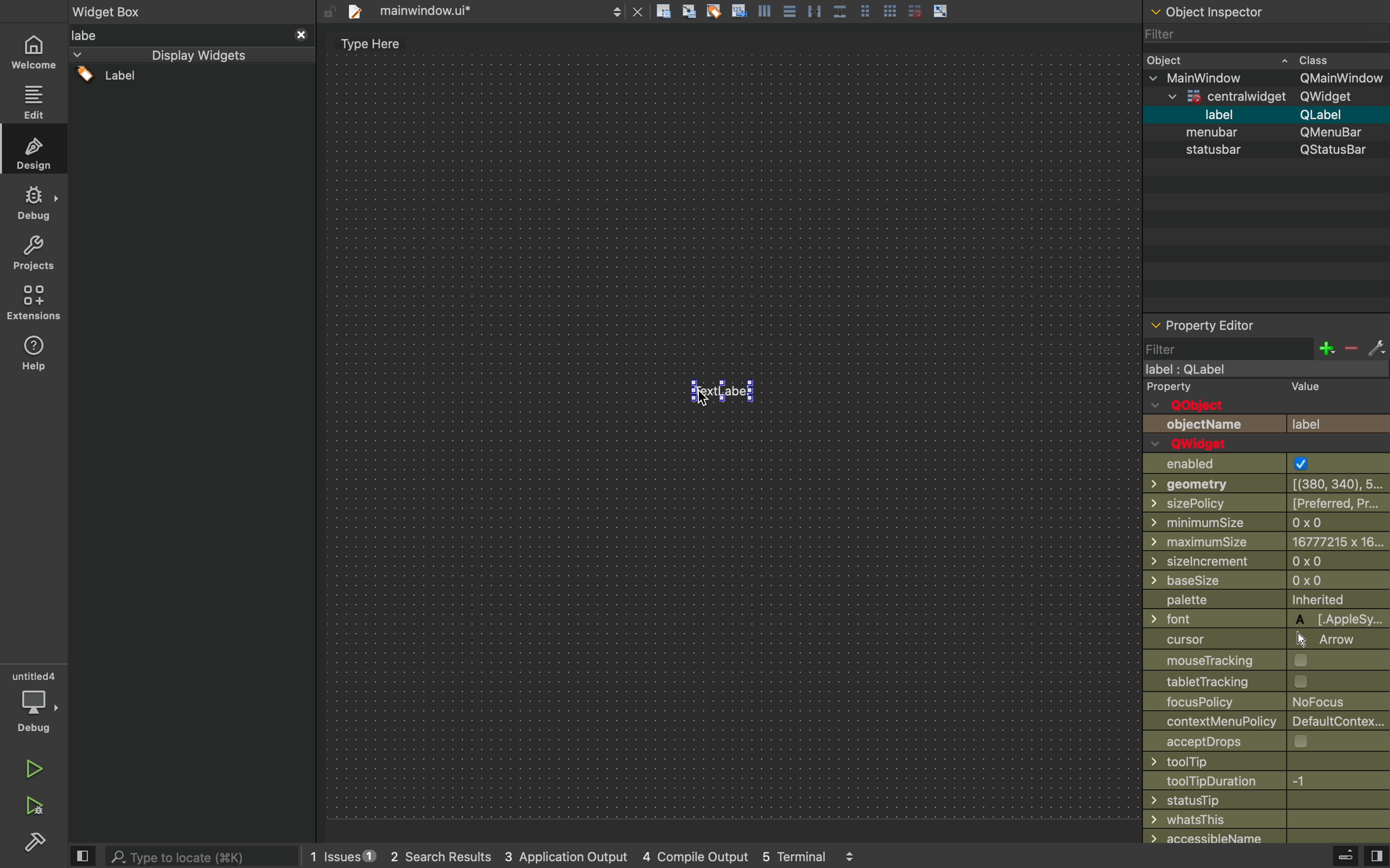  I want to click on Box, so click(841, 9).